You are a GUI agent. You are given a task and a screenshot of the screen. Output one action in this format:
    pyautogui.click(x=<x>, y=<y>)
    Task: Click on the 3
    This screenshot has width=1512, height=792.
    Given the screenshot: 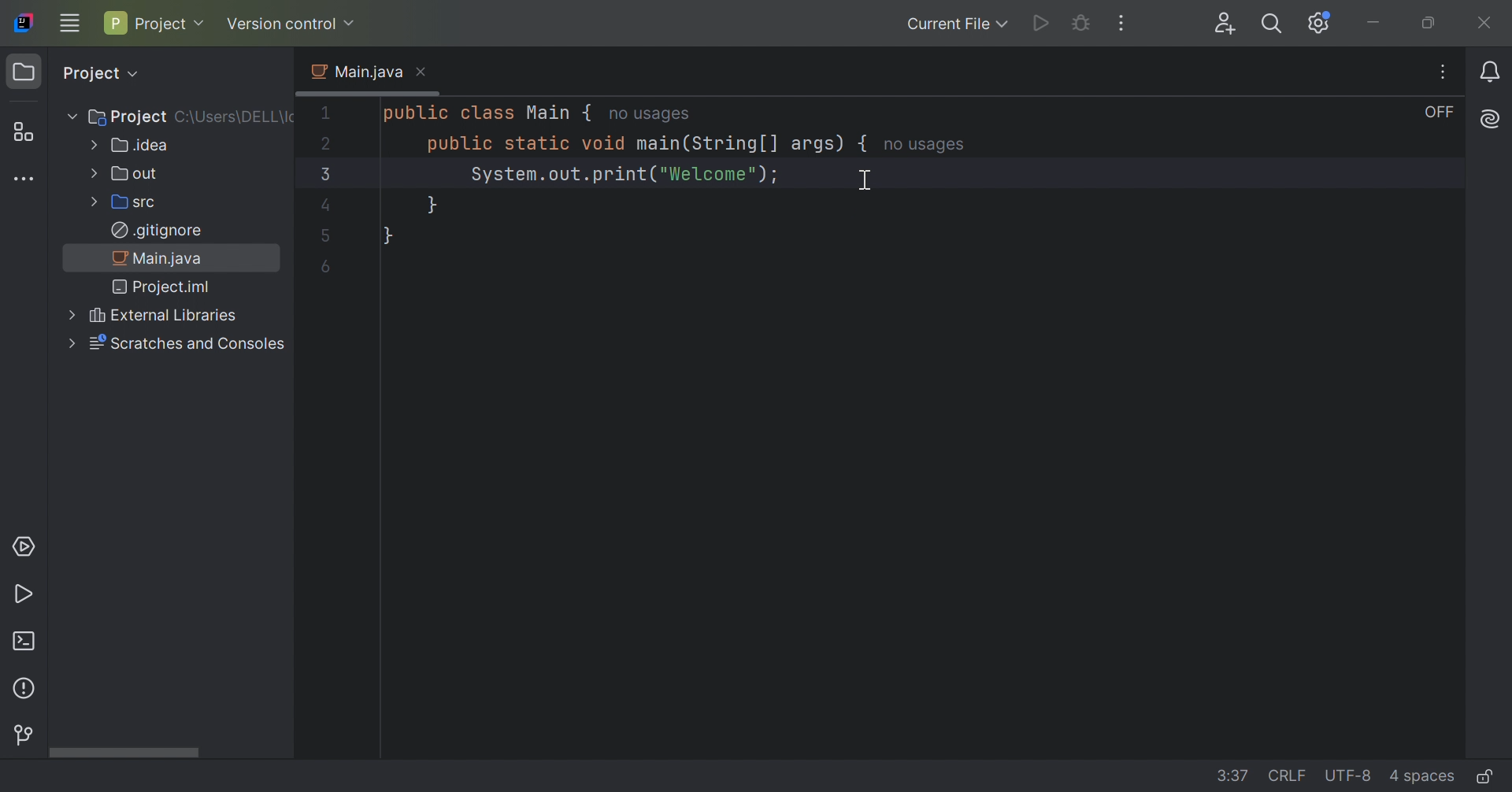 What is the action you would take?
    pyautogui.click(x=322, y=174)
    